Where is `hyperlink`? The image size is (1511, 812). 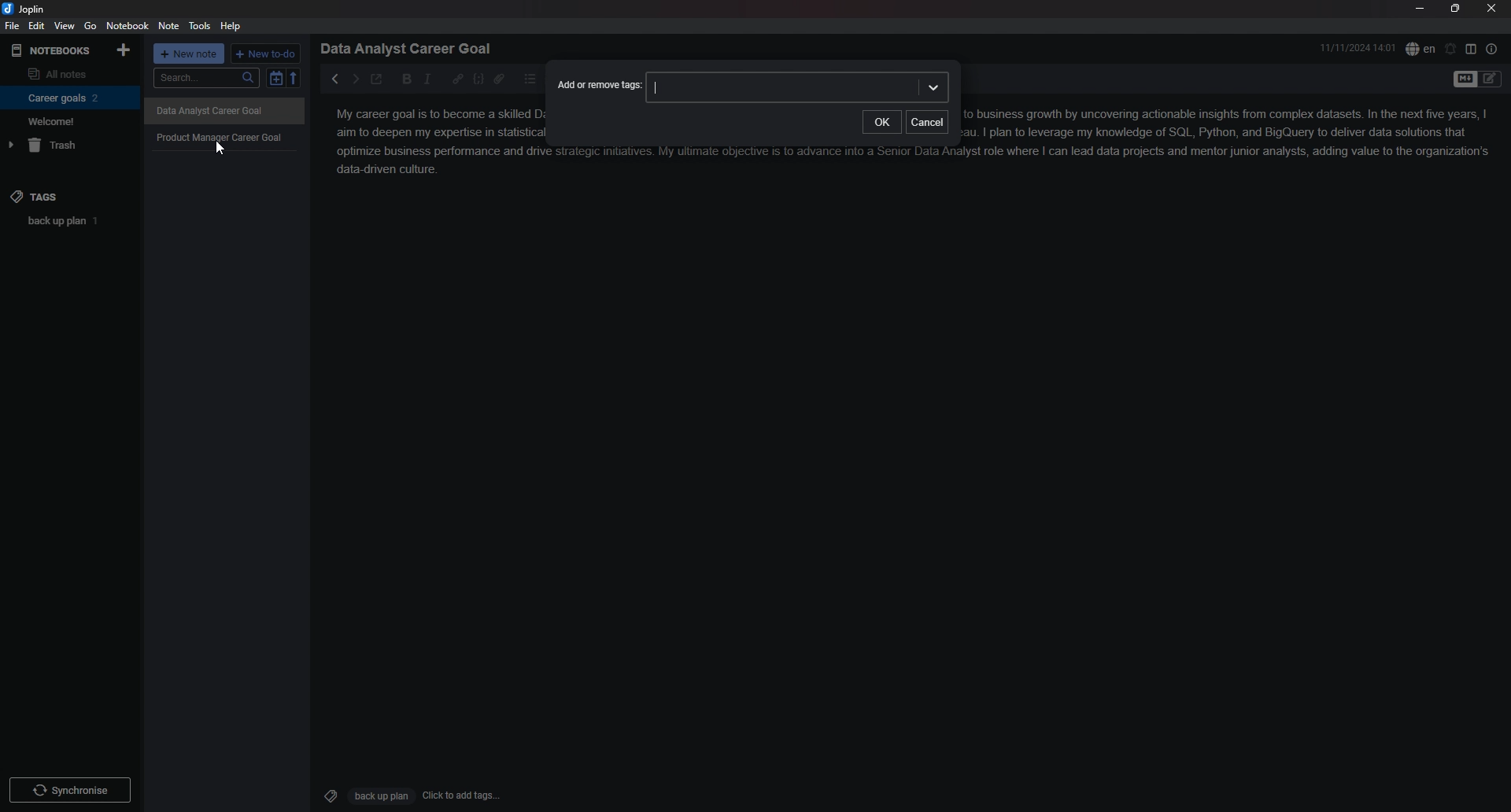
hyperlink is located at coordinates (457, 79).